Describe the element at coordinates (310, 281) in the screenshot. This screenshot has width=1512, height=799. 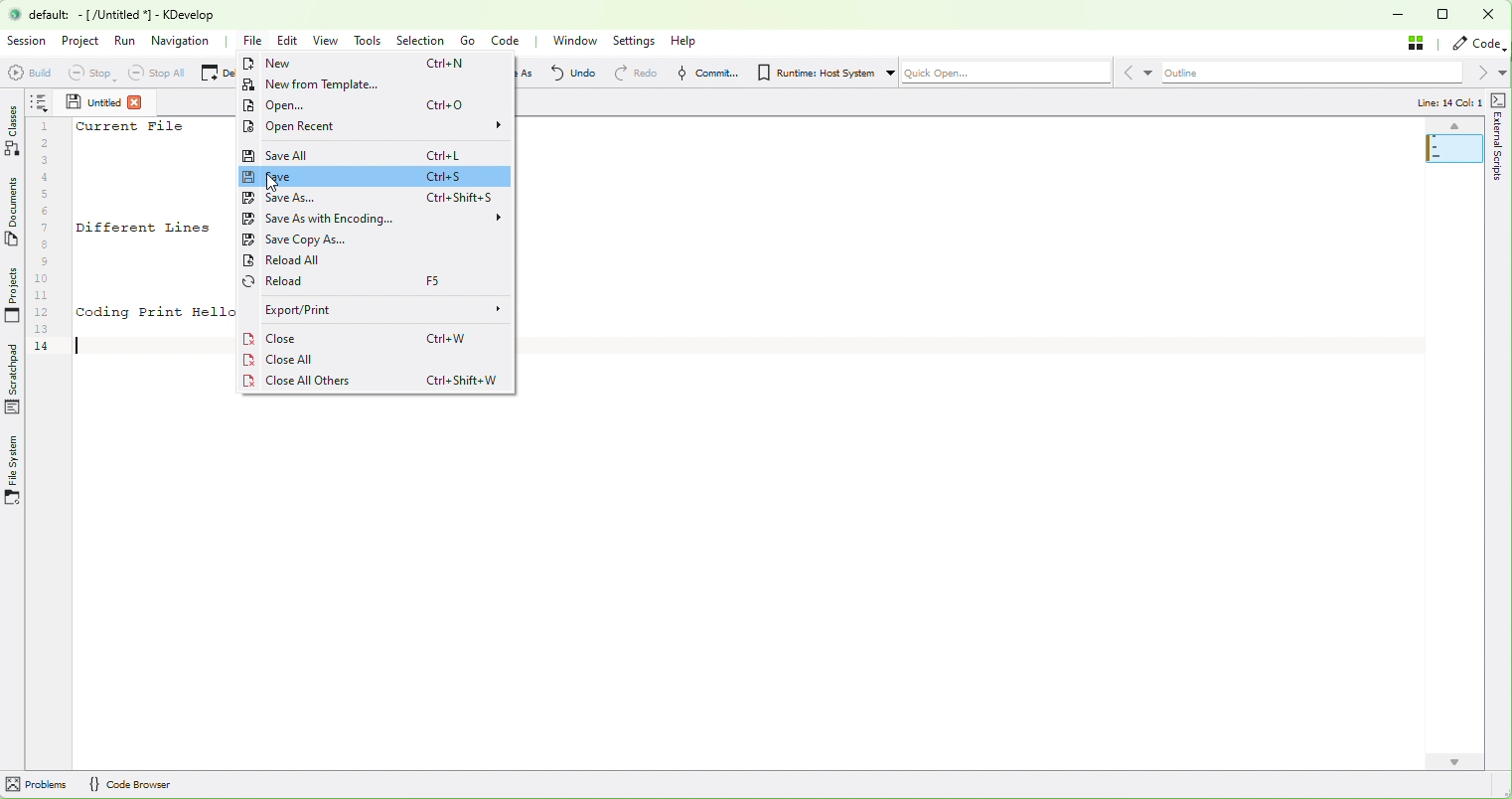
I see `Reload` at that location.